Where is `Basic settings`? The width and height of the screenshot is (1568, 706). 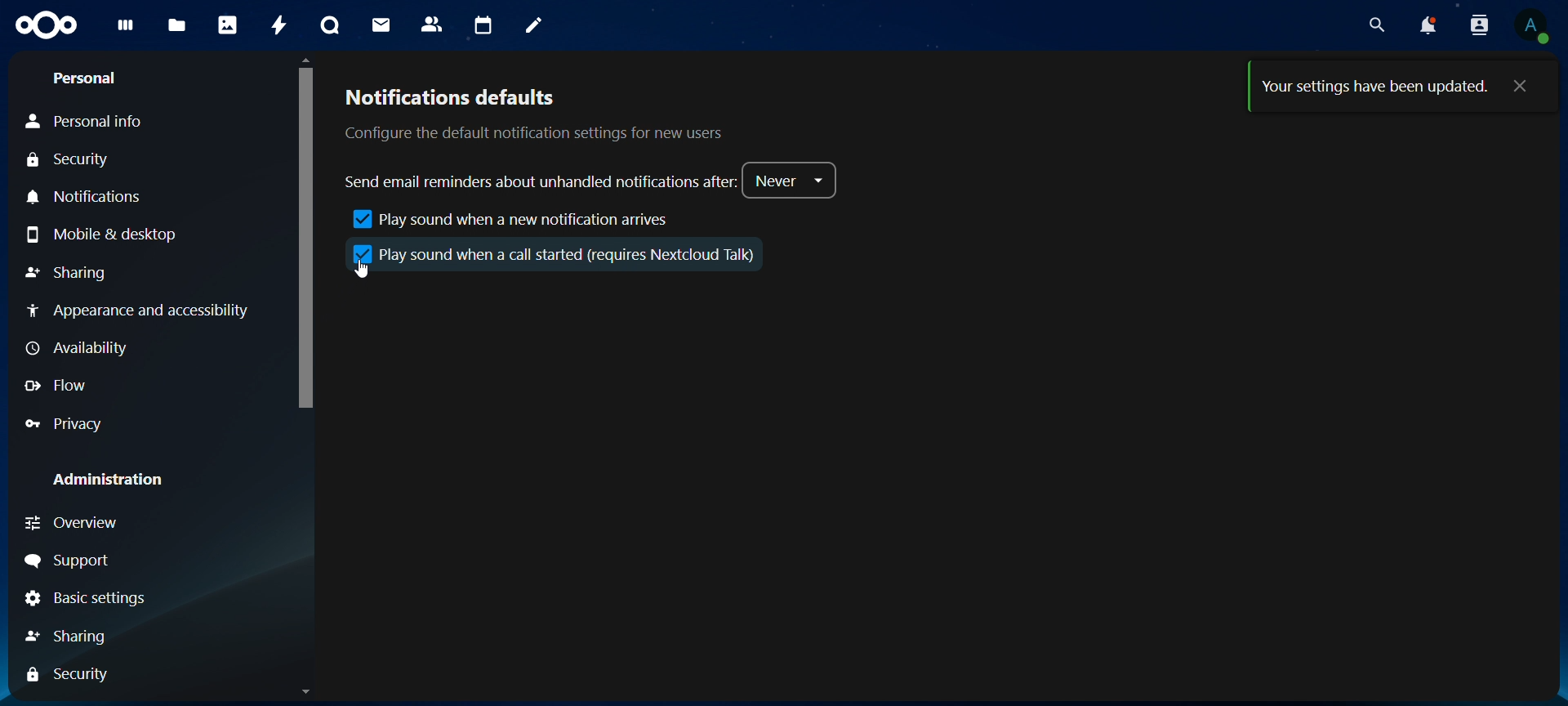 Basic settings is located at coordinates (86, 598).